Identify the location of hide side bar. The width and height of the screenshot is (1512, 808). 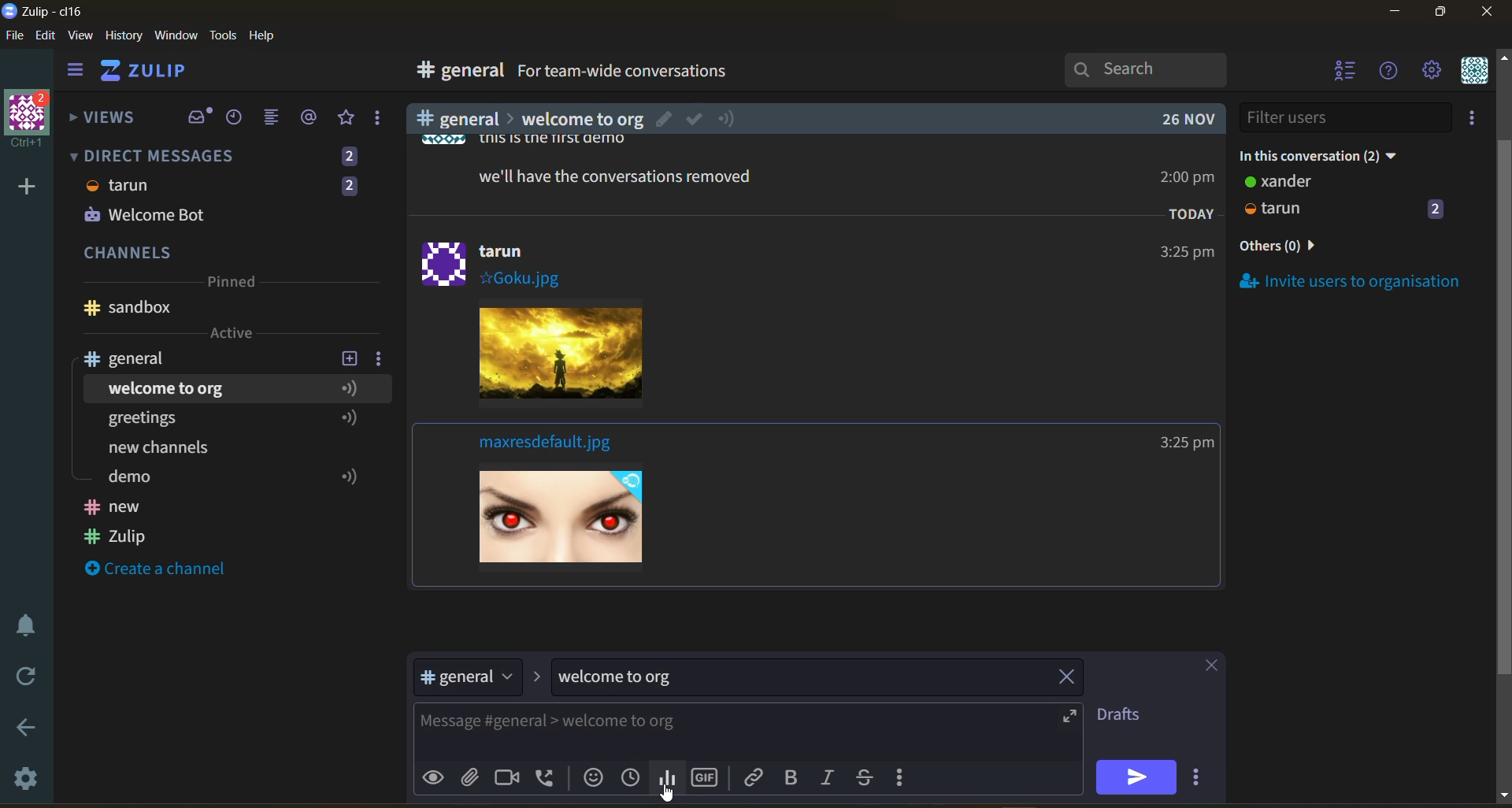
(75, 73).